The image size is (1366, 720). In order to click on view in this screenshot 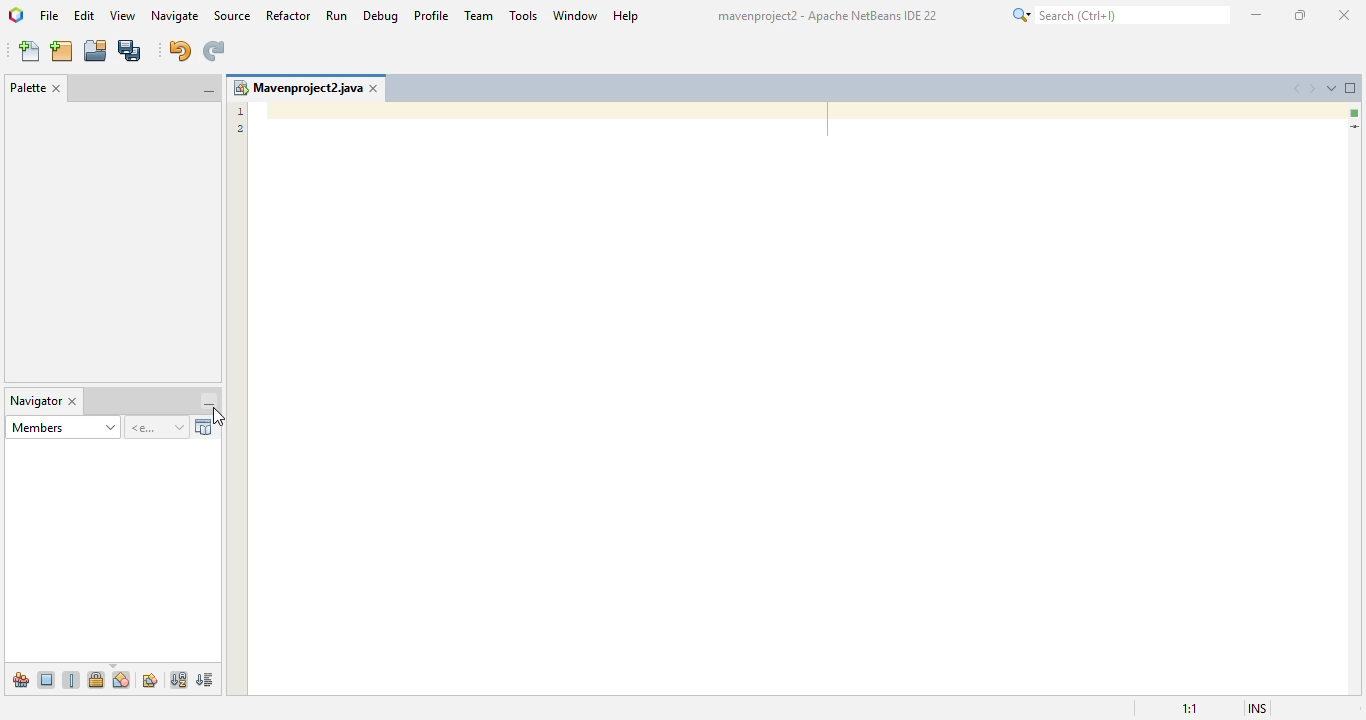, I will do `click(125, 15)`.